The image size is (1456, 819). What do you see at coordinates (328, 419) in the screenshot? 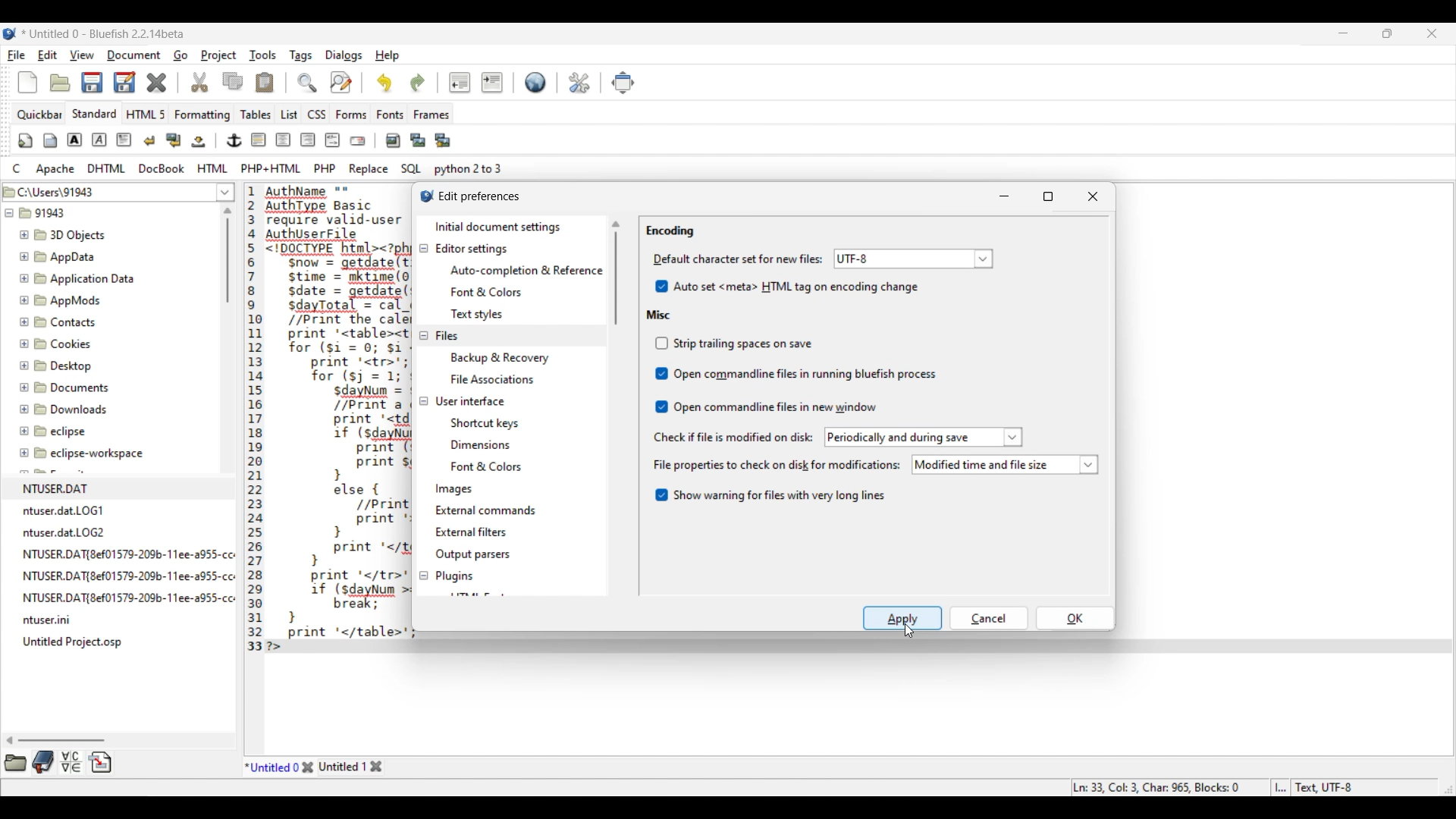
I see `Current code` at bounding box center [328, 419].